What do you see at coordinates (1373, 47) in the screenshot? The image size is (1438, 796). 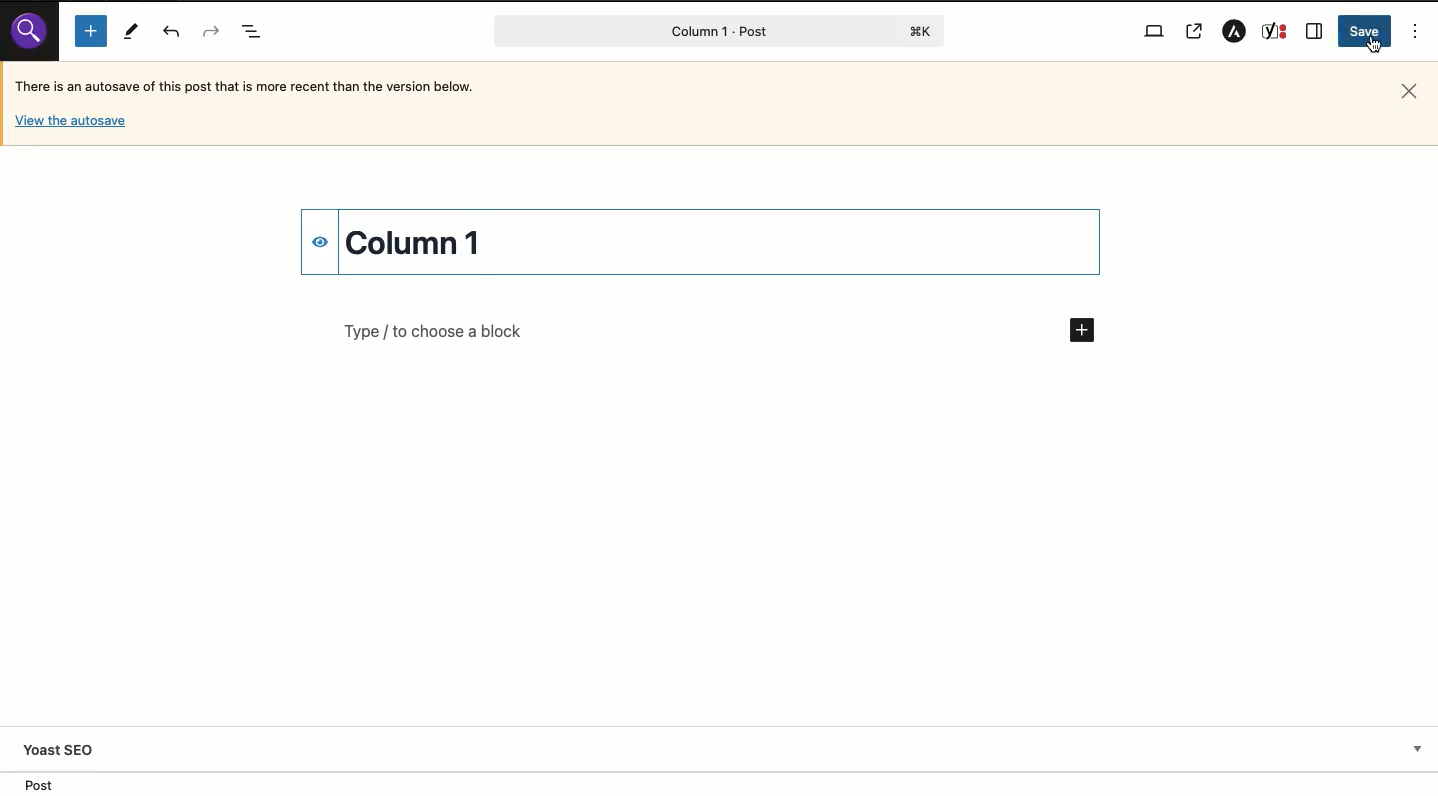 I see `Click` at bounding box center [1373, 47].